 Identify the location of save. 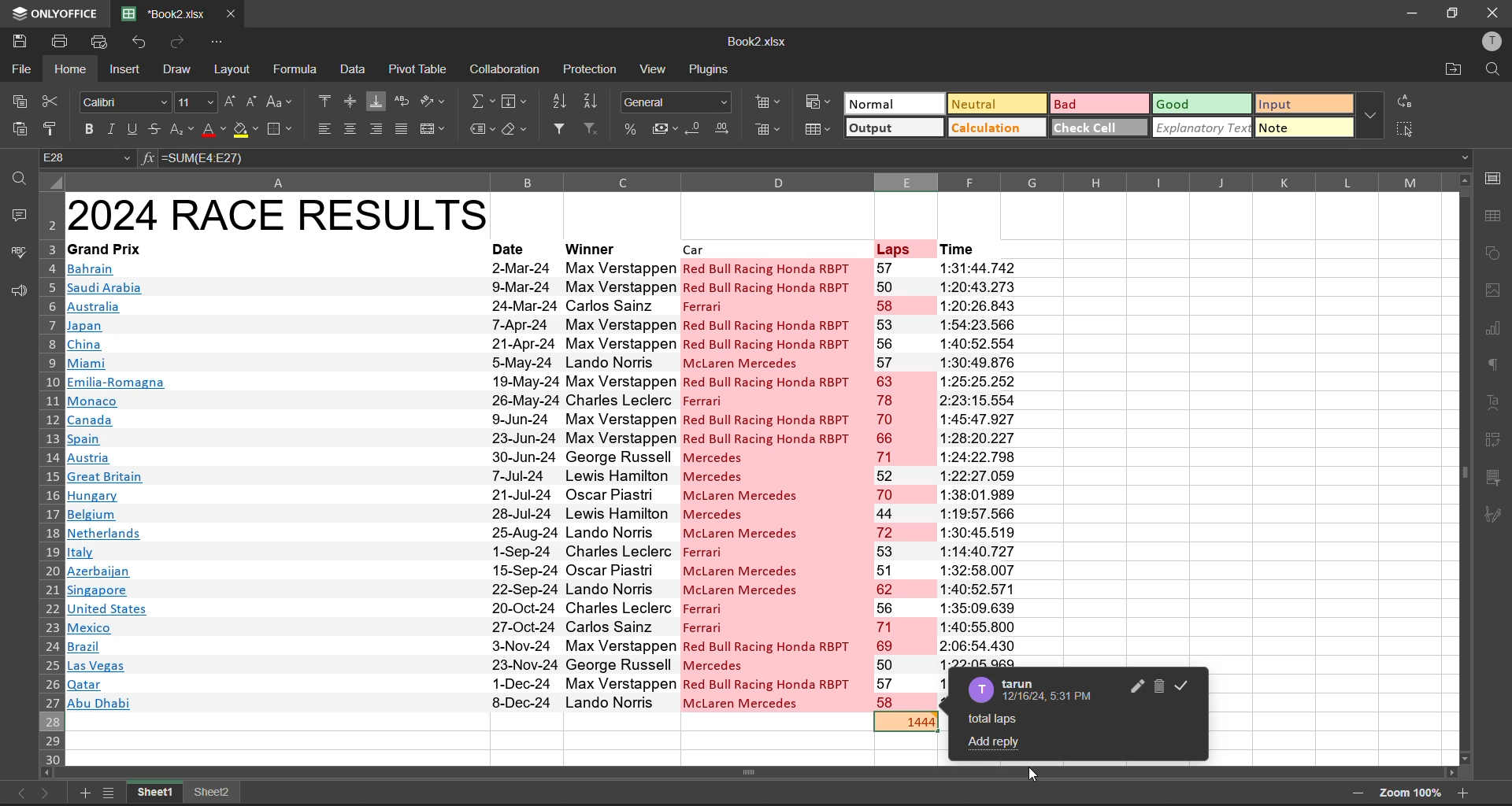
(20, 41).